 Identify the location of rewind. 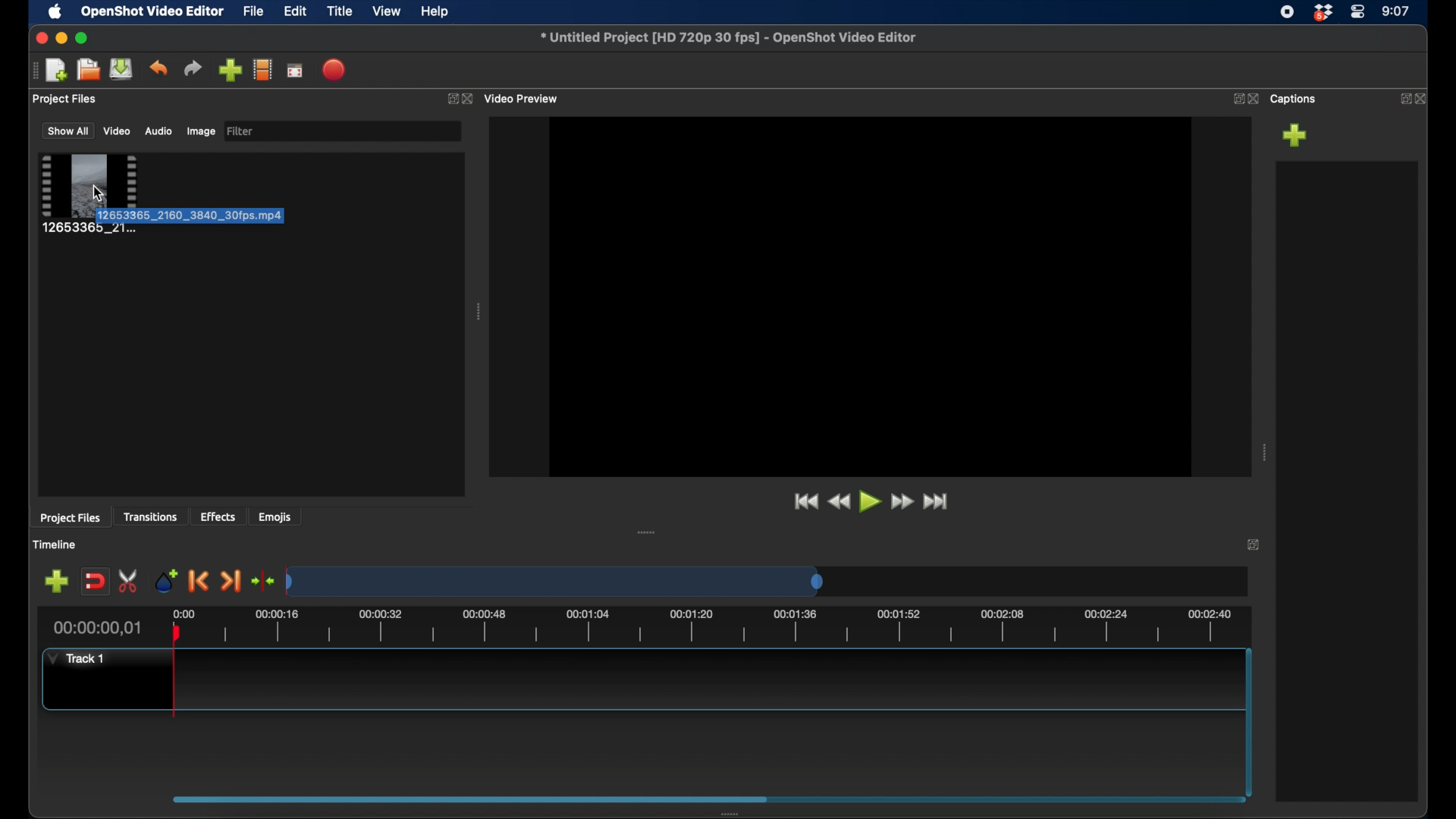
(839, 501).